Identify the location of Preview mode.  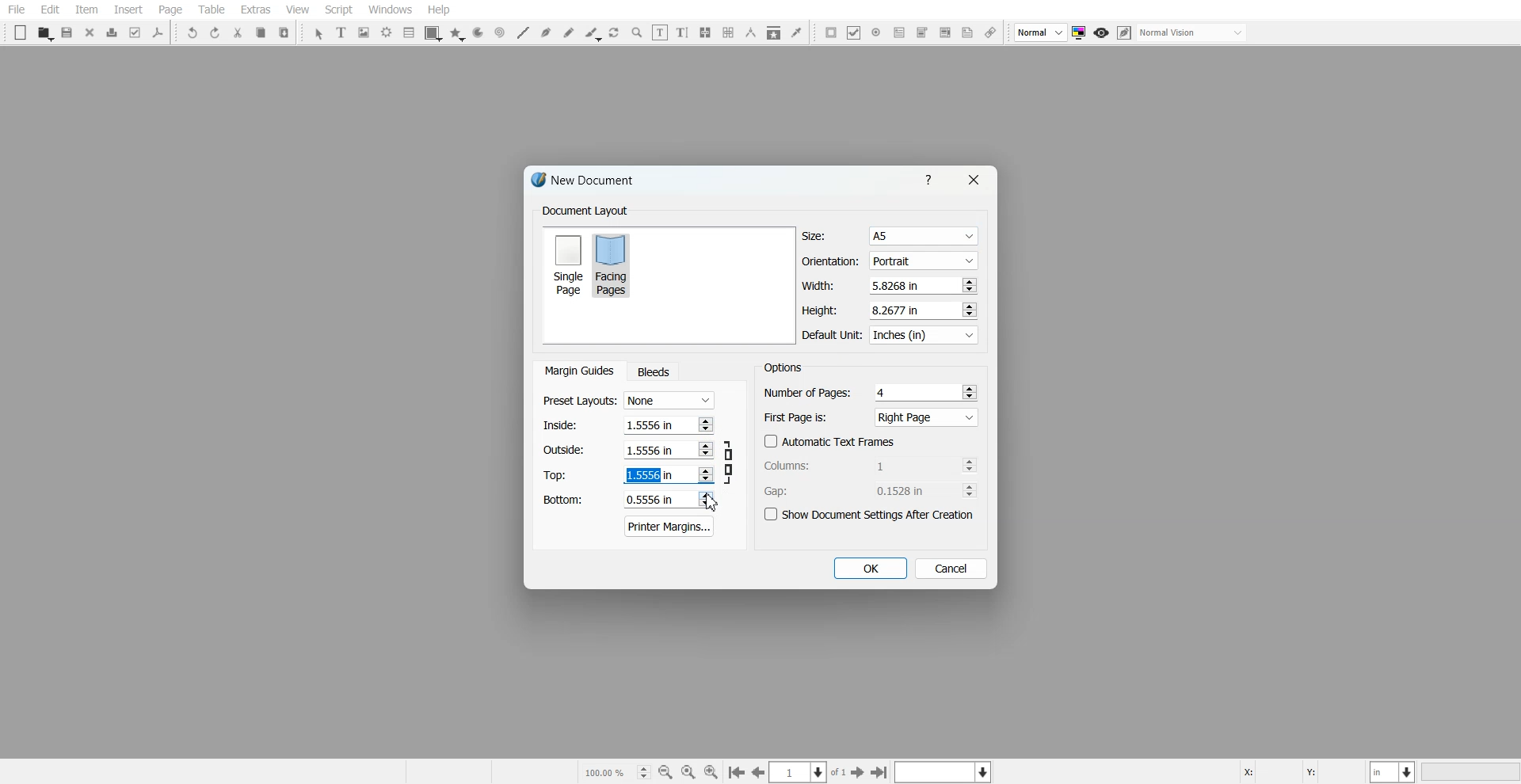
(1102, 33).